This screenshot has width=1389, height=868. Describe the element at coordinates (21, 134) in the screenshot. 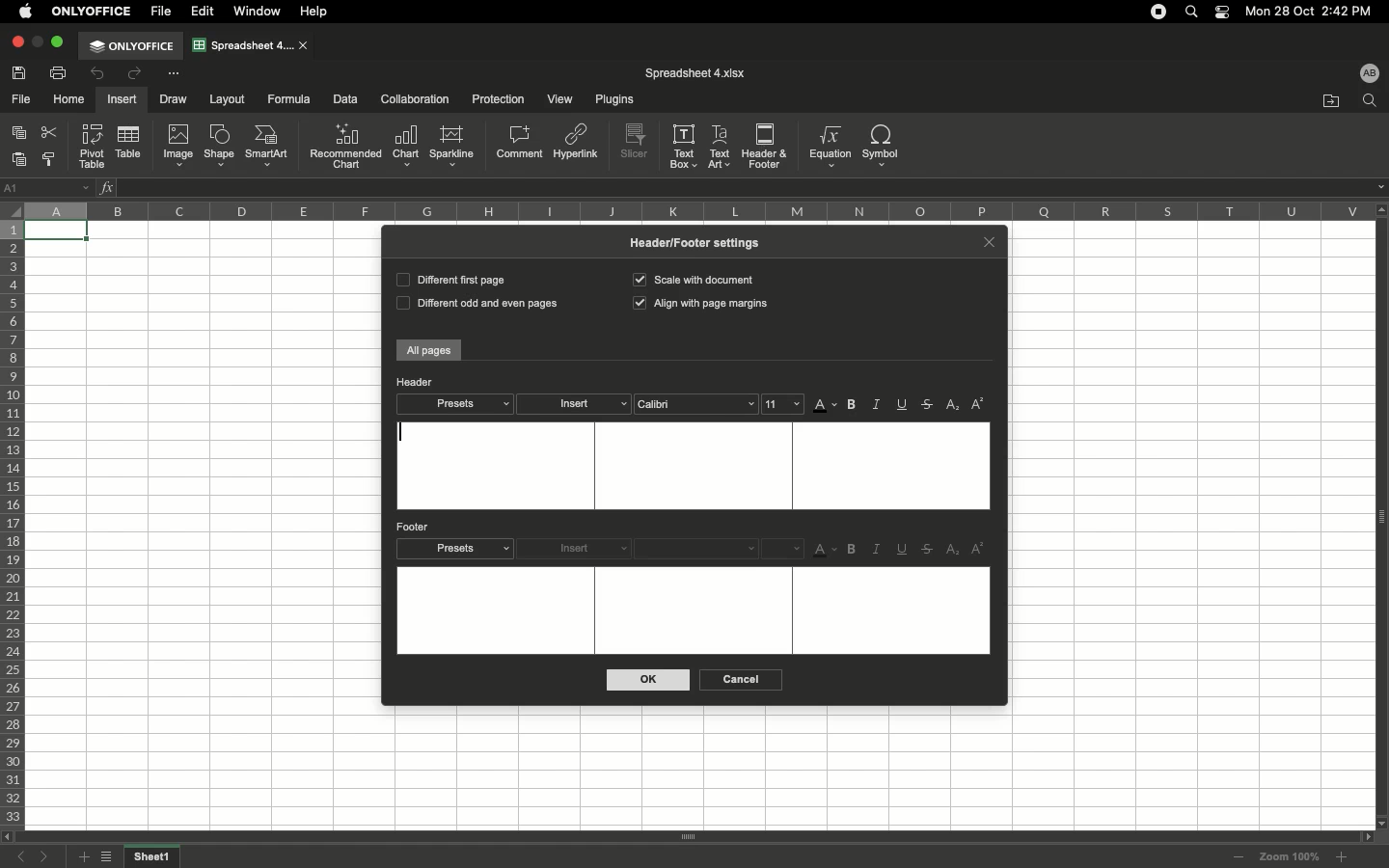

I see `Copy` at that location.